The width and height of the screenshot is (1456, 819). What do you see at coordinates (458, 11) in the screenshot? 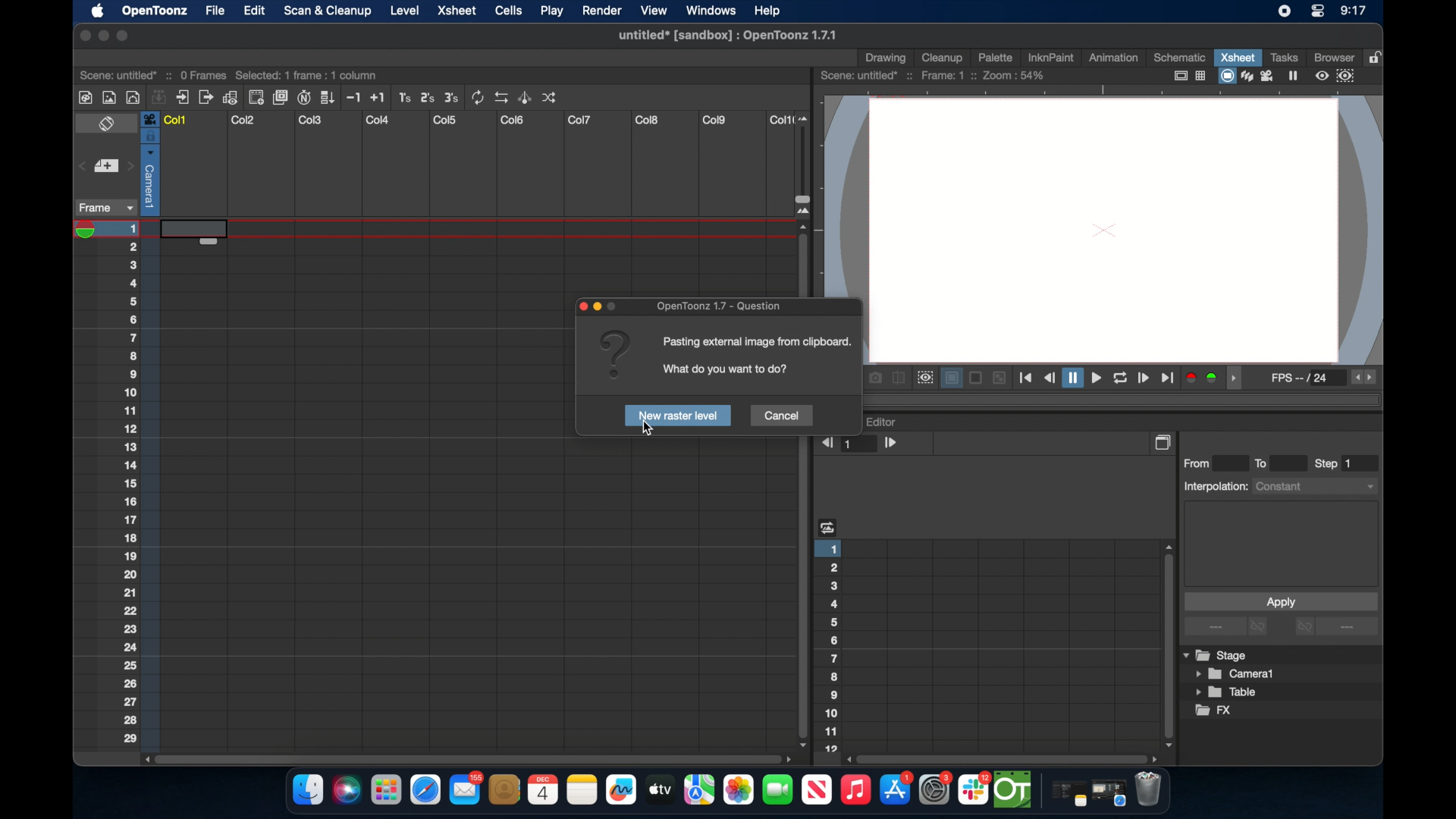
I see `xsheet` at bounding box center [458, 11].